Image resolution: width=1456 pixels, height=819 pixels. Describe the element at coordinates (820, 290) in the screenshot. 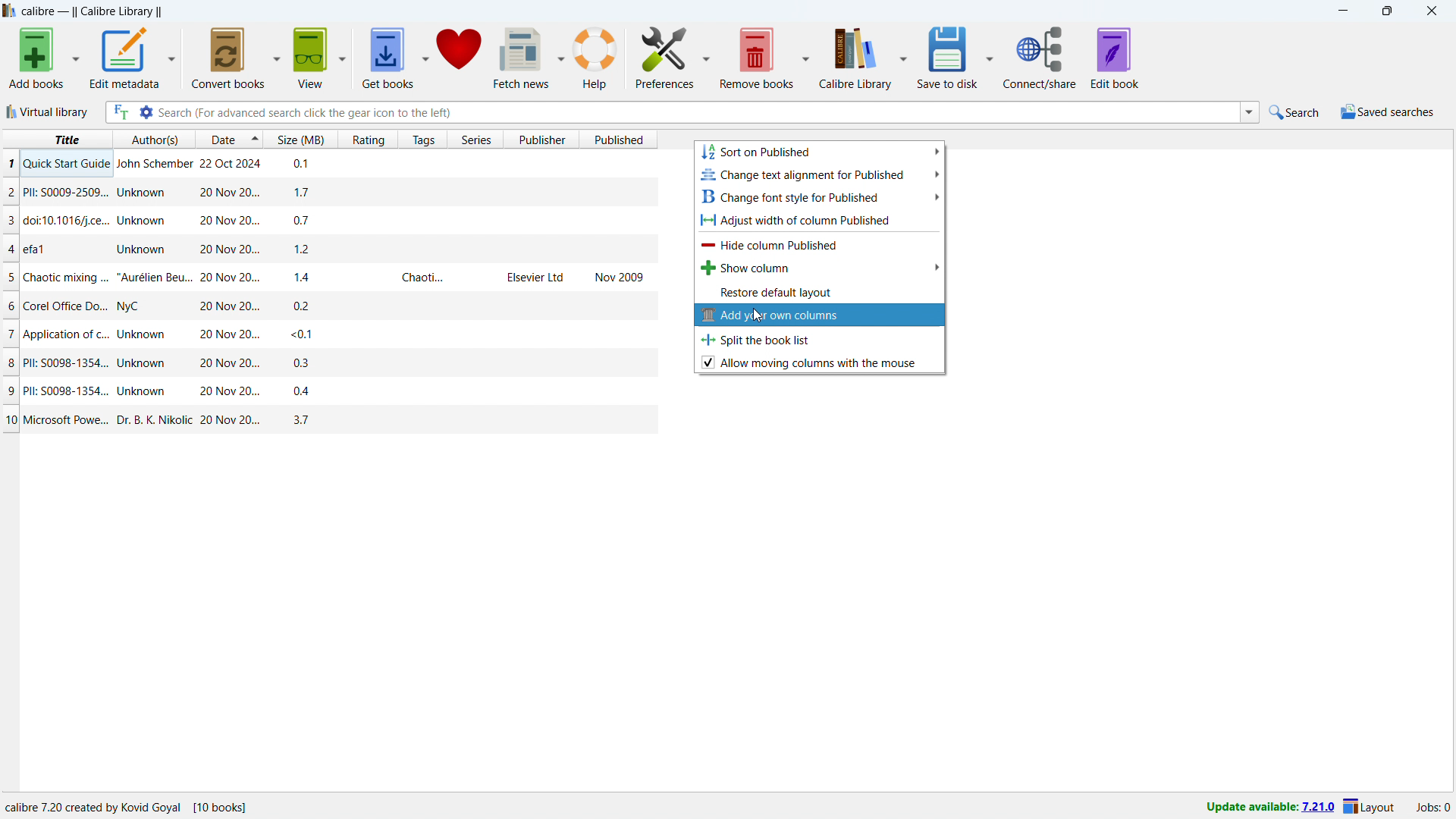

I see `restore default layout` at that location.